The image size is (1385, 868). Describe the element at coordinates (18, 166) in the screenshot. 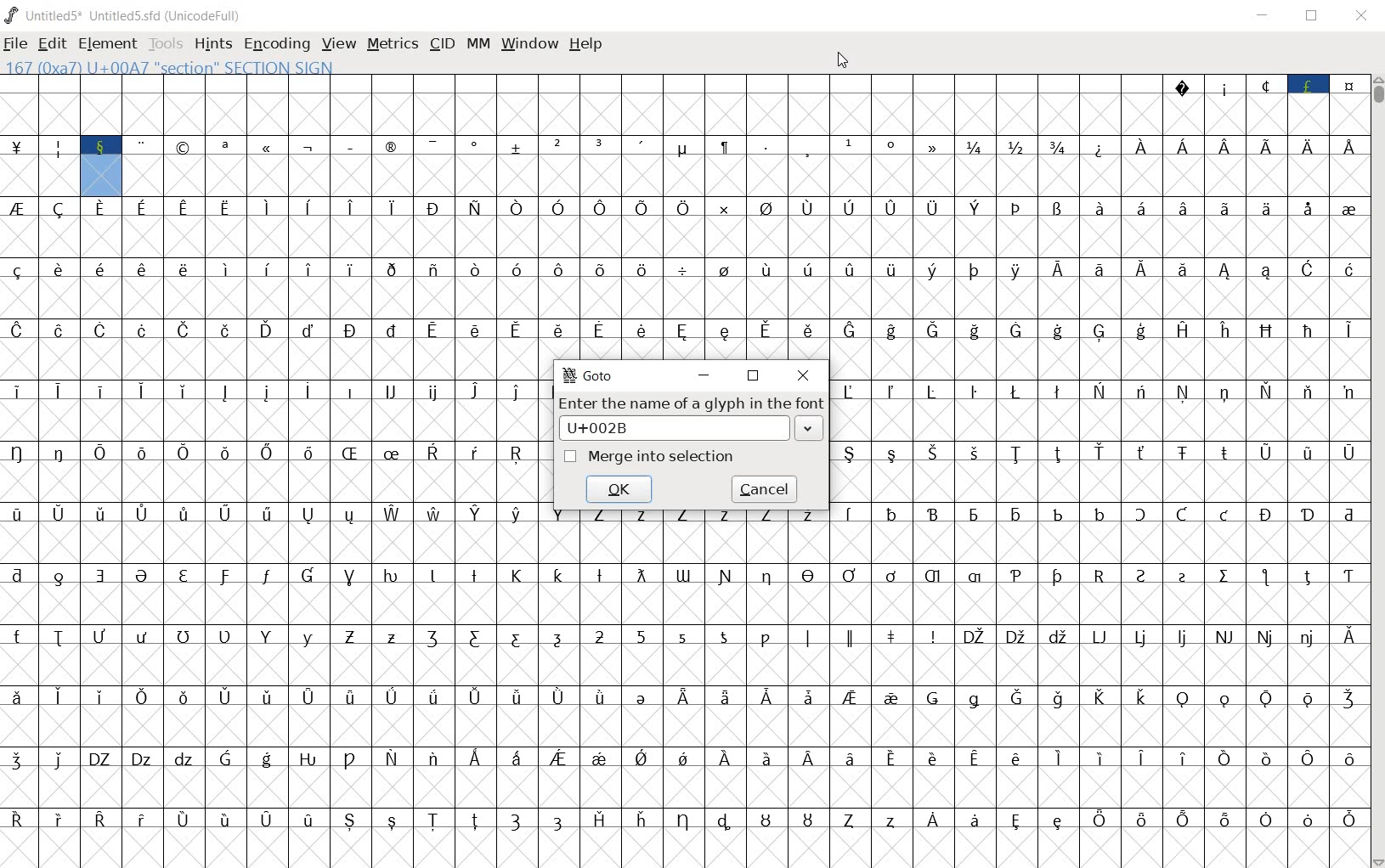

I see `currency` at that location.